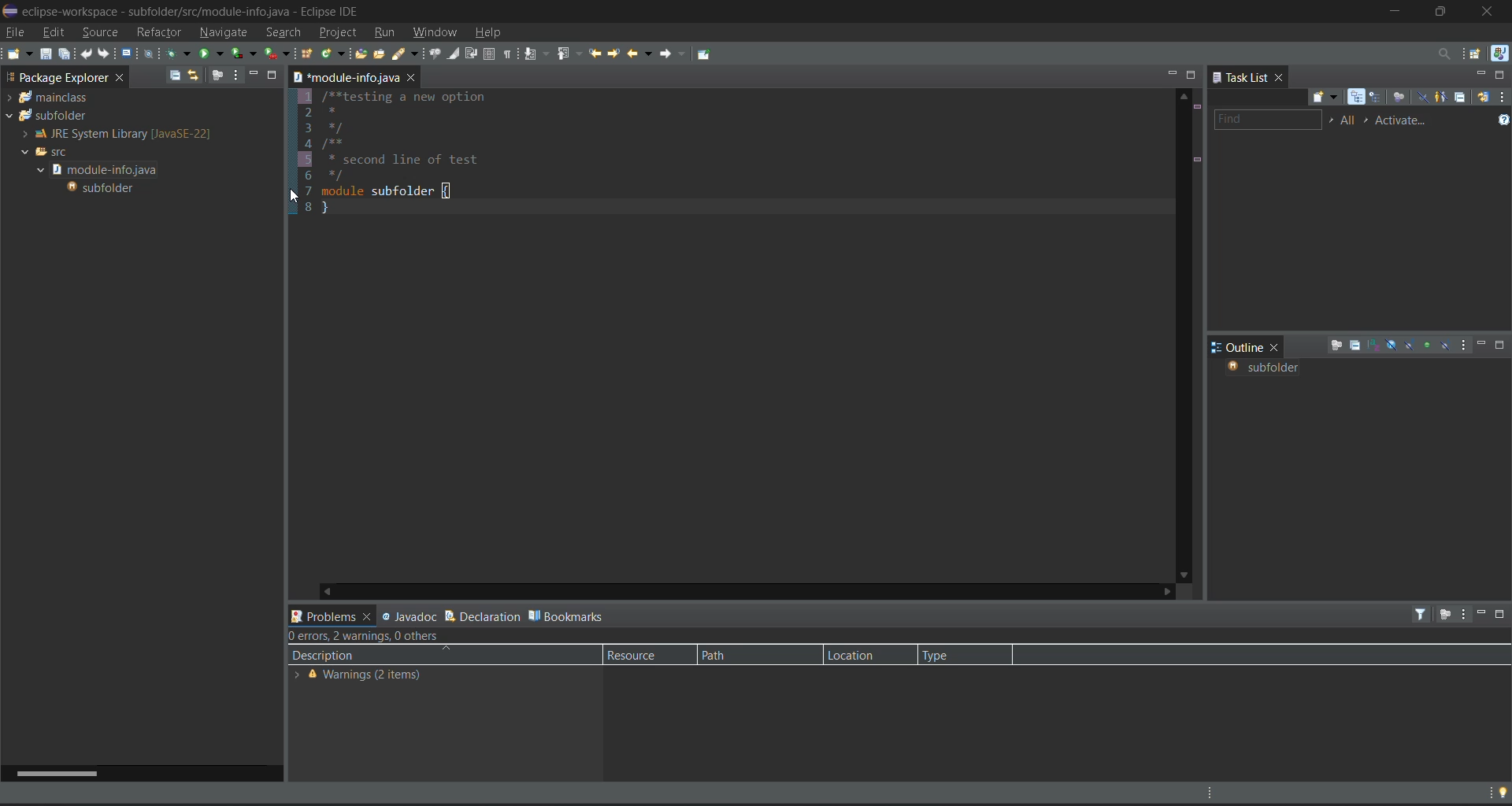 The width and height of the screenshot is (1512, 806). What do you see at coordinates (436, 54) in the screenshot?
I see `toggle bread crumb` at bounding box center [436, 54].